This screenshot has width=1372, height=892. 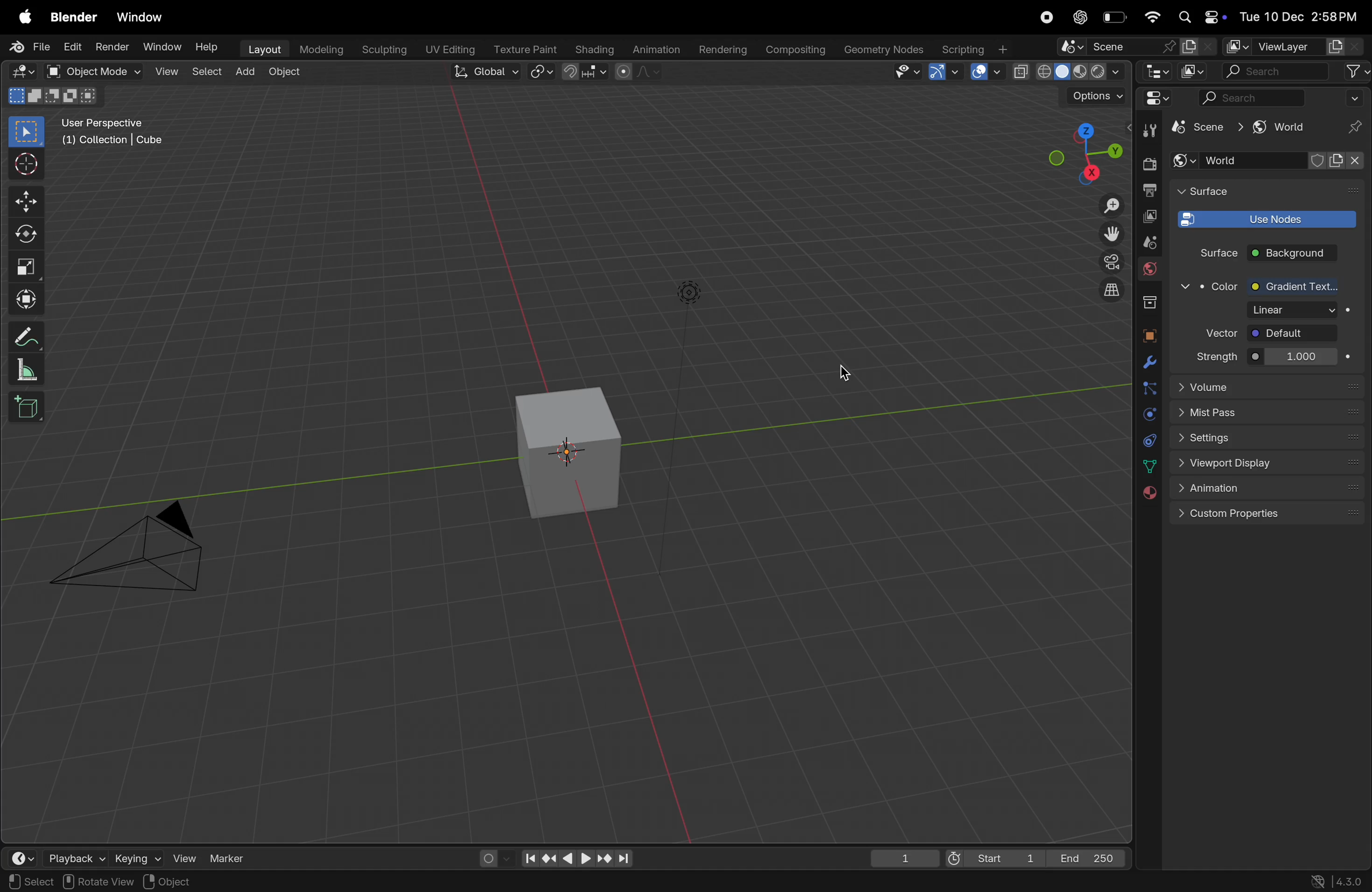 I want to click on Volume, so click(x=1273, y=385).